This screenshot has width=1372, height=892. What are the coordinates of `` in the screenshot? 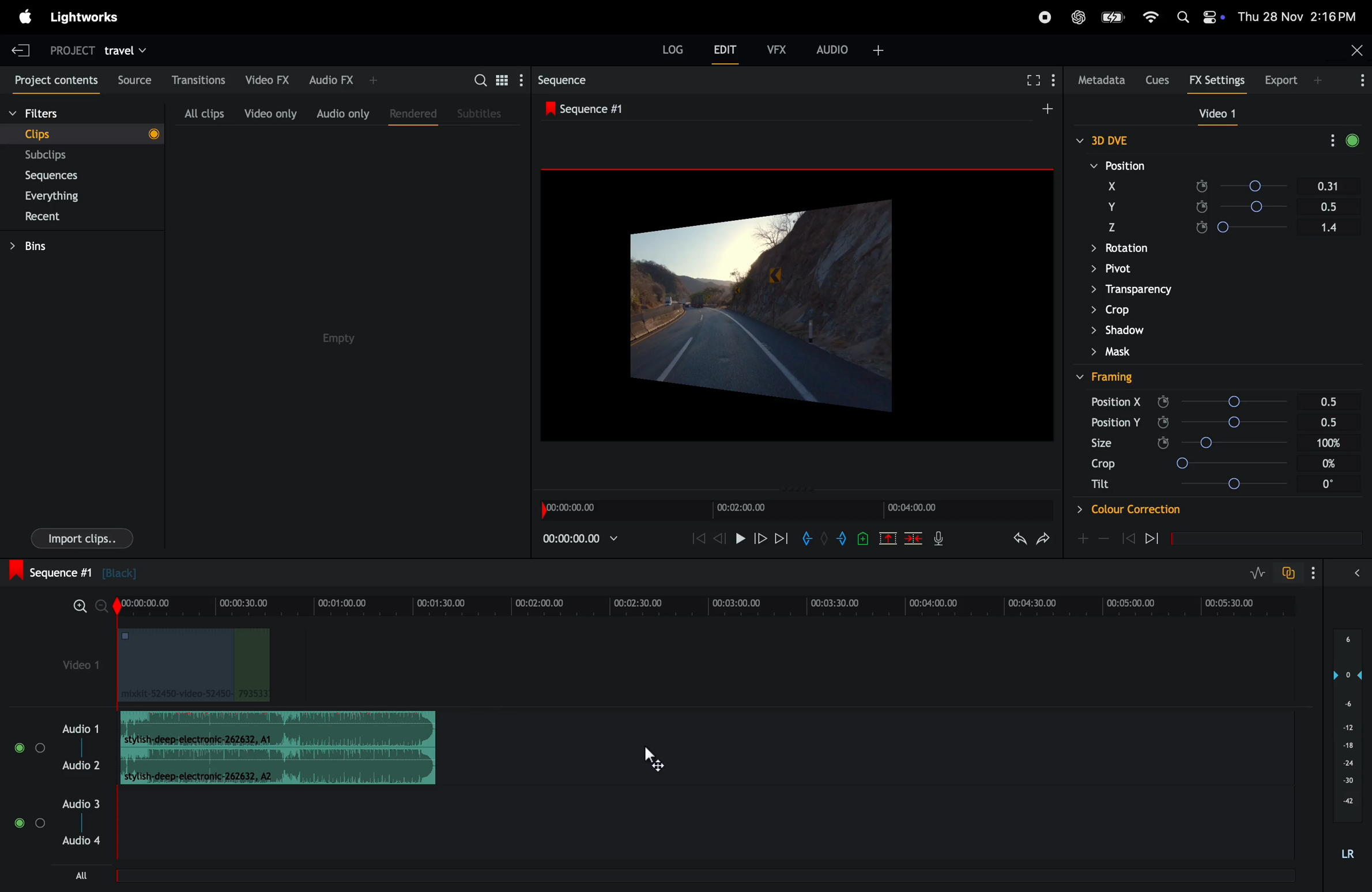 It's located at (1186, 269).